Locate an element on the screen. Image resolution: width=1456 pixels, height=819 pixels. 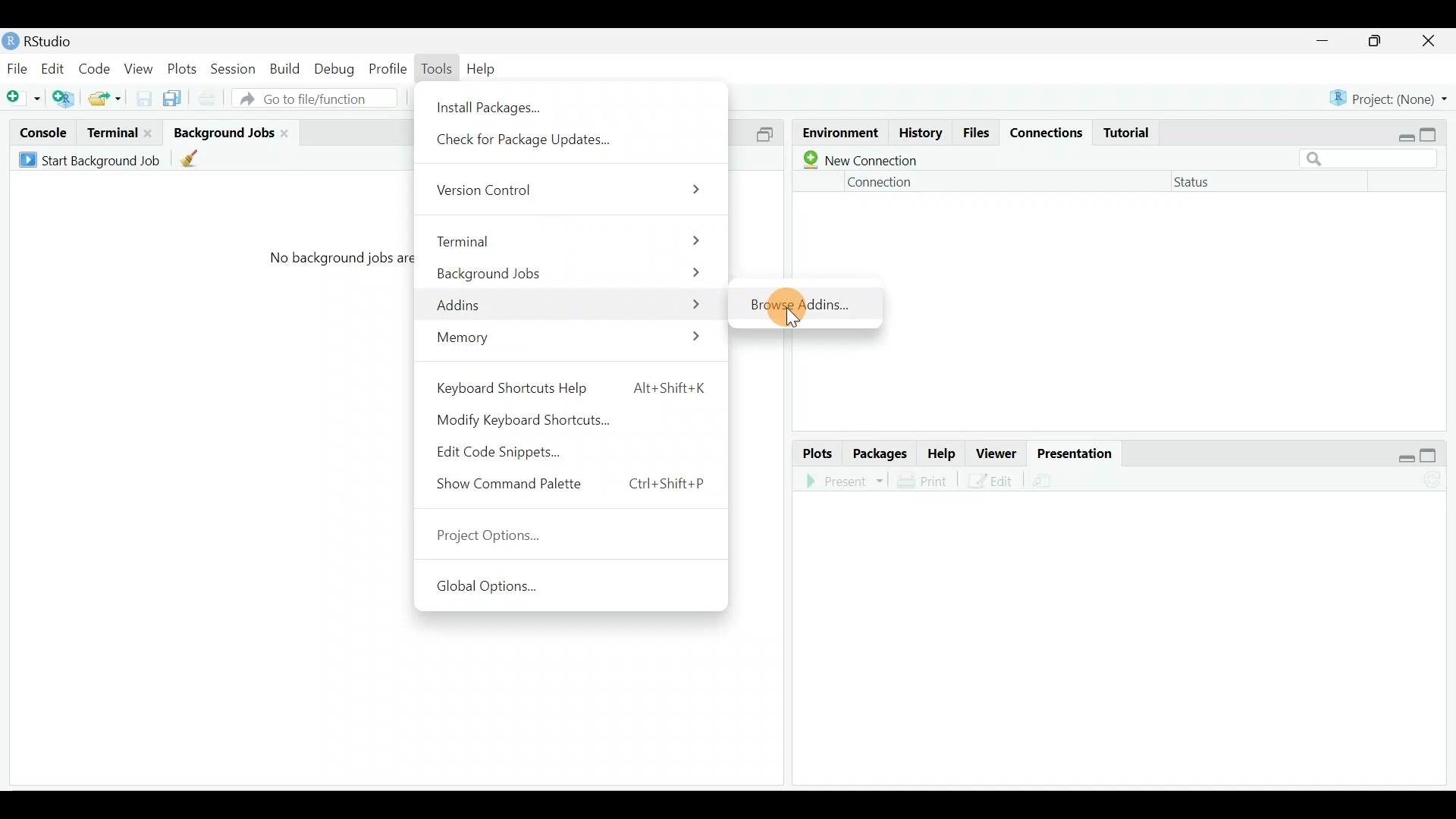
Bring Addins. is located at coordinates (801, 301).